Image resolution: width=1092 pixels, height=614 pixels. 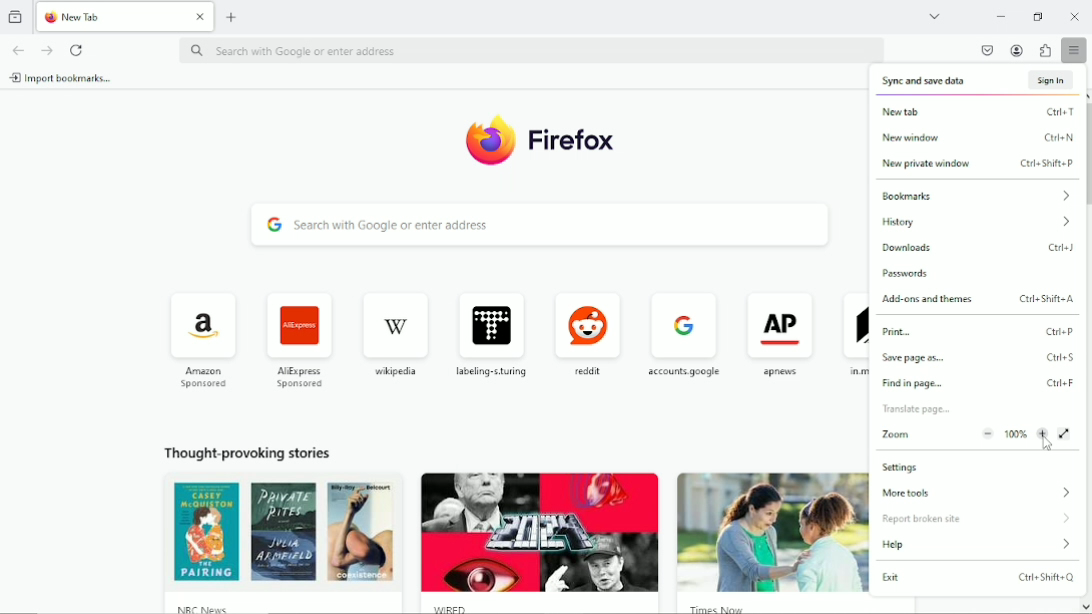 I want to click on New window, so click(x=974, y=138).